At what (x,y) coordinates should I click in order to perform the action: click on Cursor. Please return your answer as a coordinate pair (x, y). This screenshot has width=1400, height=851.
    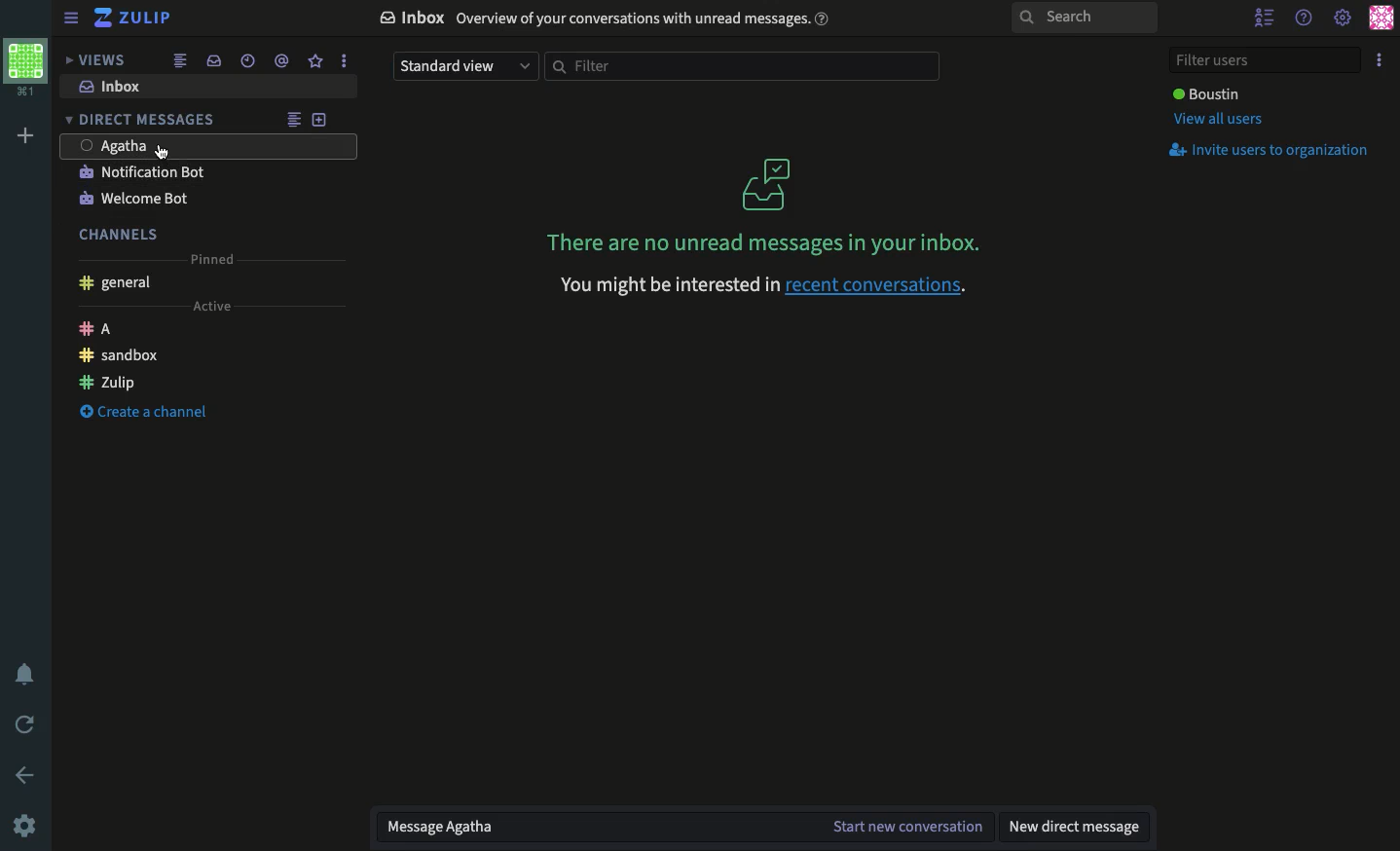
    Looking at the image, I should click on (166, 155).